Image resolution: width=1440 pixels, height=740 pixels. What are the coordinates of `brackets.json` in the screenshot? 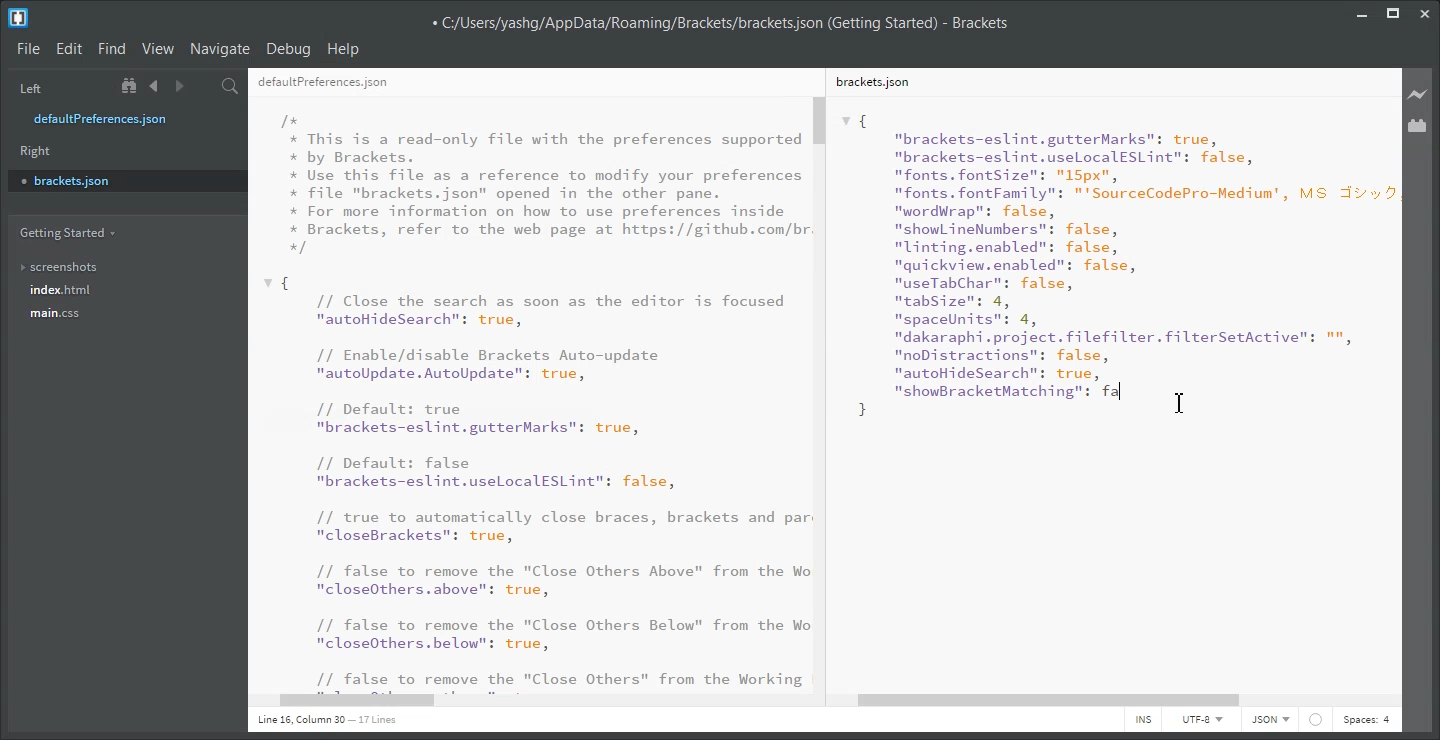 It's located at (871, 81).